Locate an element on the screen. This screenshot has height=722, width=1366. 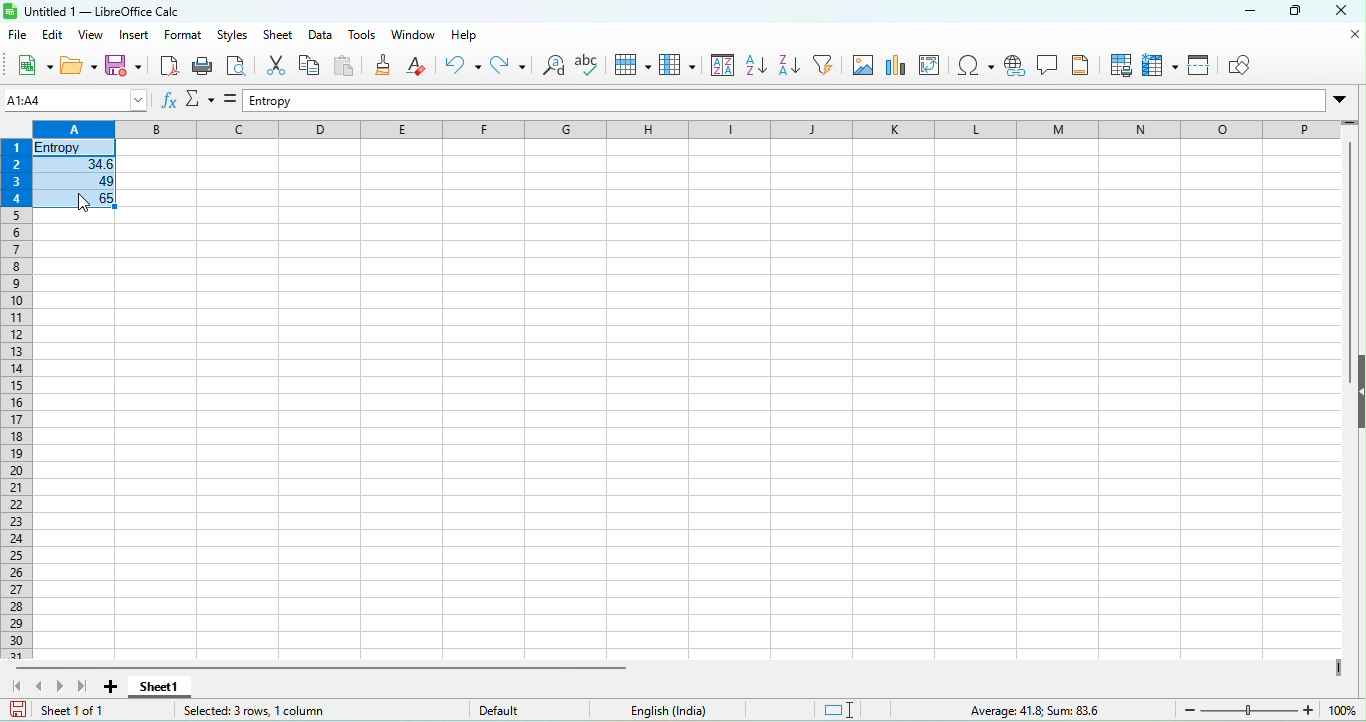
window is located at coordinates (414, 36).